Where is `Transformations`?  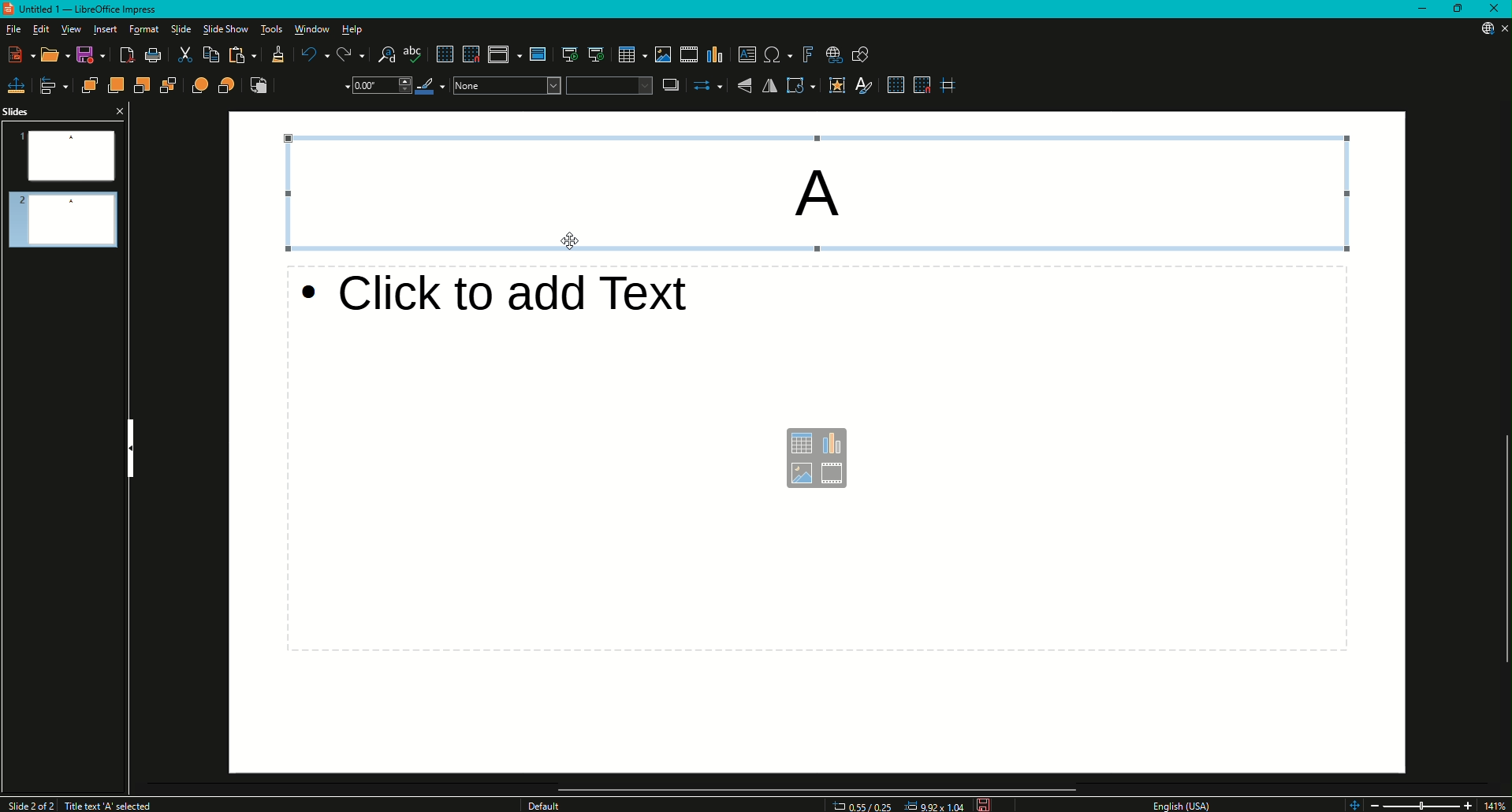 Transformations is located at coordinates (803, 87).